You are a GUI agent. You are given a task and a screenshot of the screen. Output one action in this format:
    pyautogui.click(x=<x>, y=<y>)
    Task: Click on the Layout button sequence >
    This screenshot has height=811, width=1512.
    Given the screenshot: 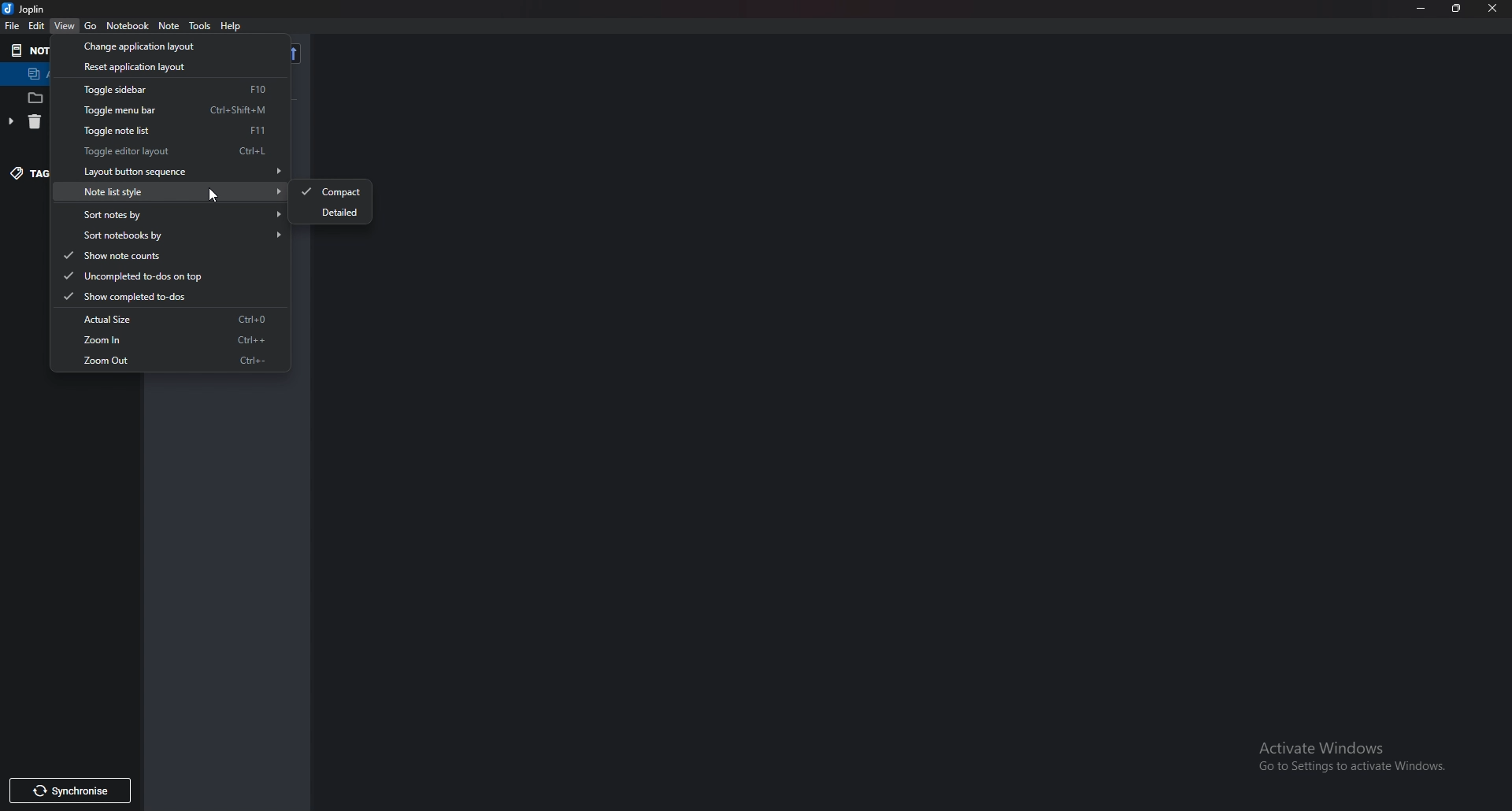 What is the action you would take?
    pyautogui.click(x=184, y=168)
    